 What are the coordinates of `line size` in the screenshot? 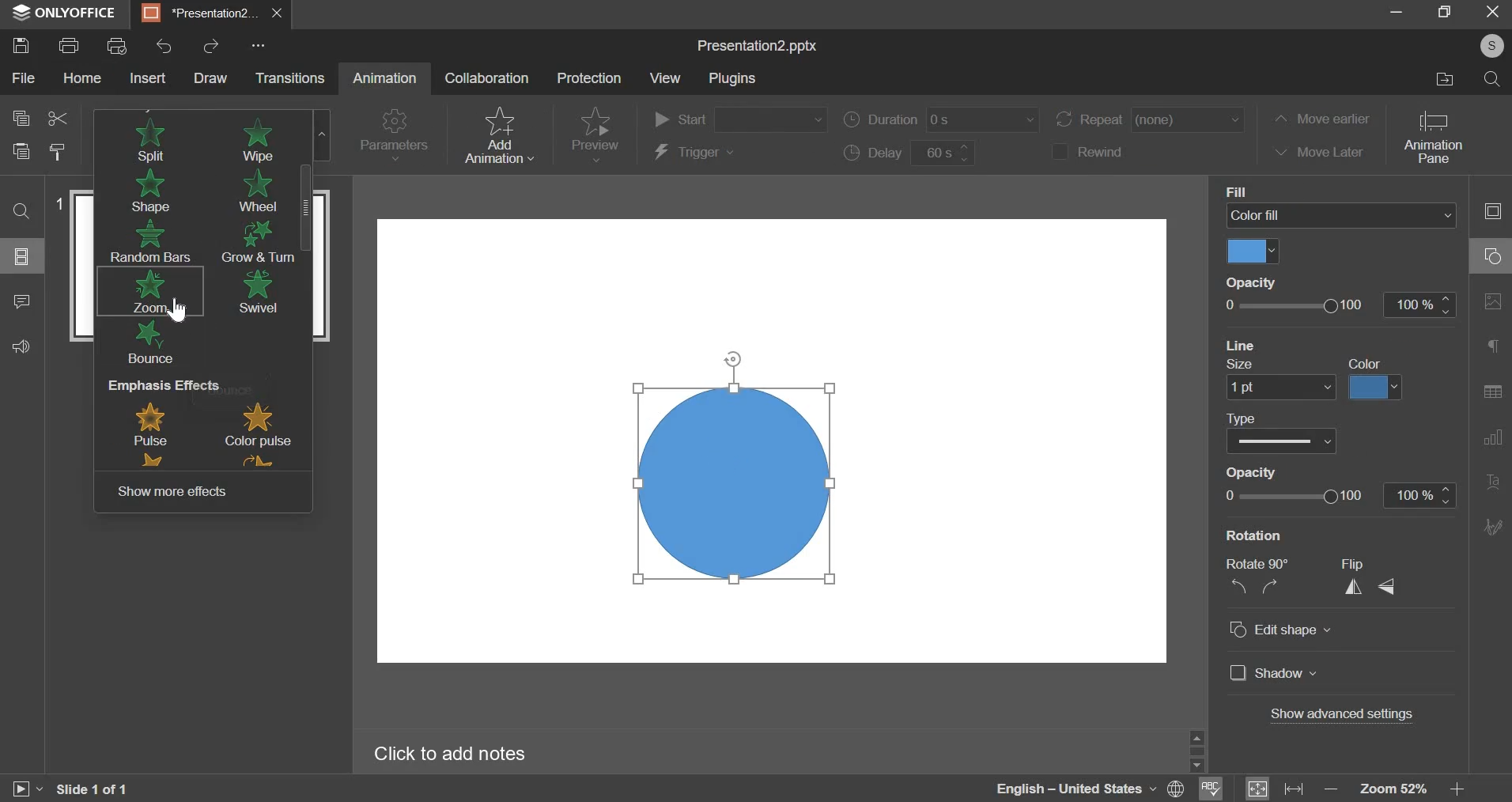 It's located at (1276, 389).